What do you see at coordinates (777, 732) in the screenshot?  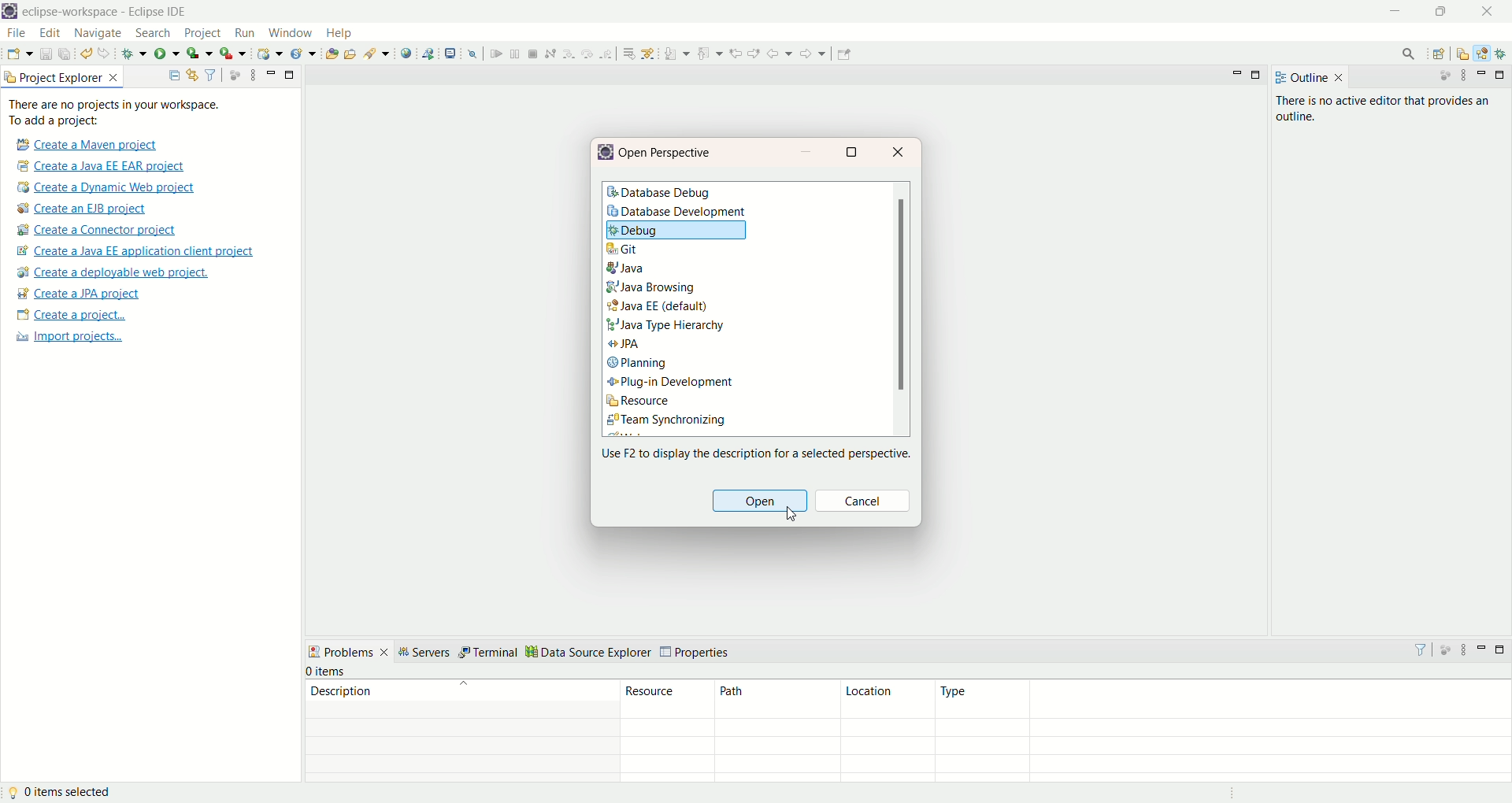 I see `path` at bounding box center [777, 732].